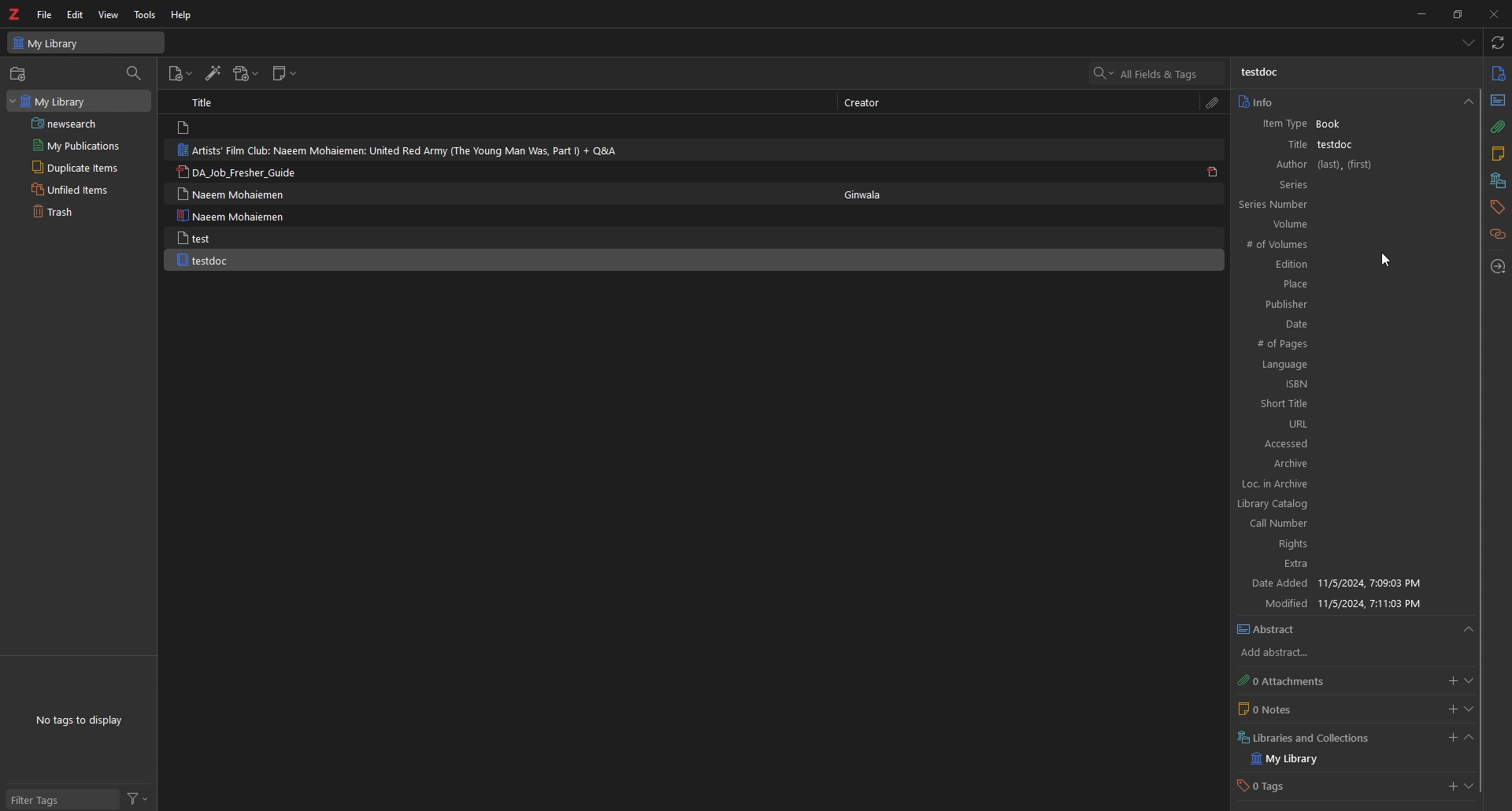  What do you see at coordinates (1357, 185) in the screenshot?
I see `Series` at bounding box center [1357, 185].